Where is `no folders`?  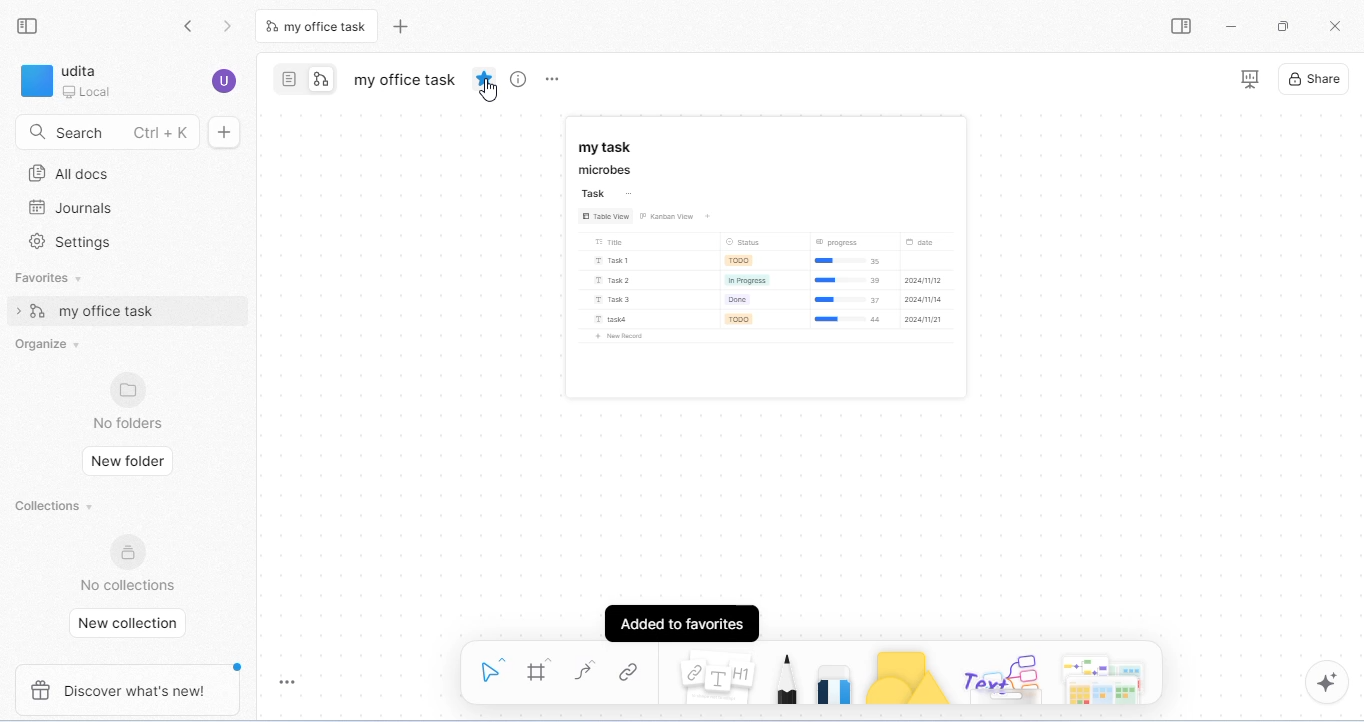 no folders is located at coordinates (130, 401).